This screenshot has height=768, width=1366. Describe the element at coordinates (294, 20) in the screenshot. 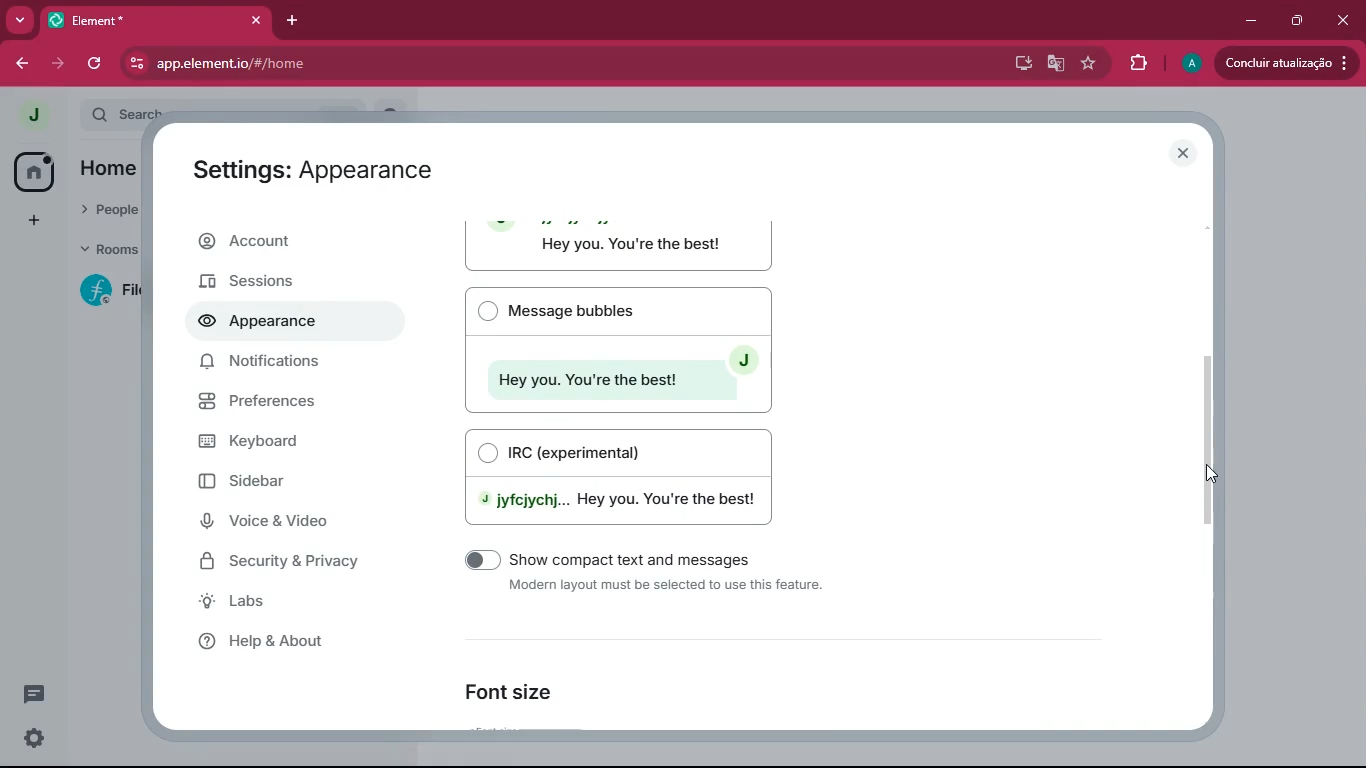

I see `add tab` at that location.